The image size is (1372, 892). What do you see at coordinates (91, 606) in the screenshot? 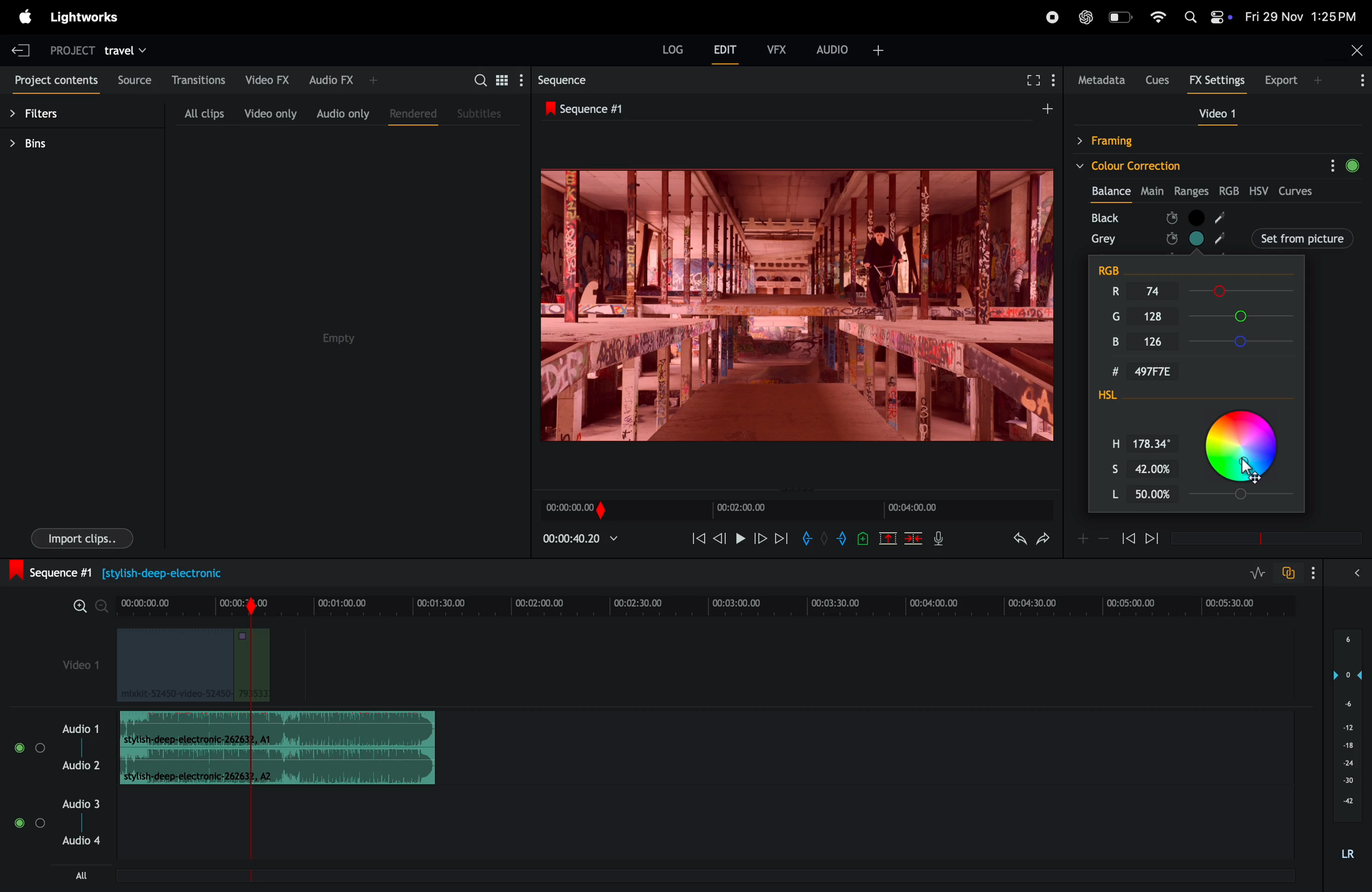
I see `zoom in zoom out` at bounding box center [91, 606].